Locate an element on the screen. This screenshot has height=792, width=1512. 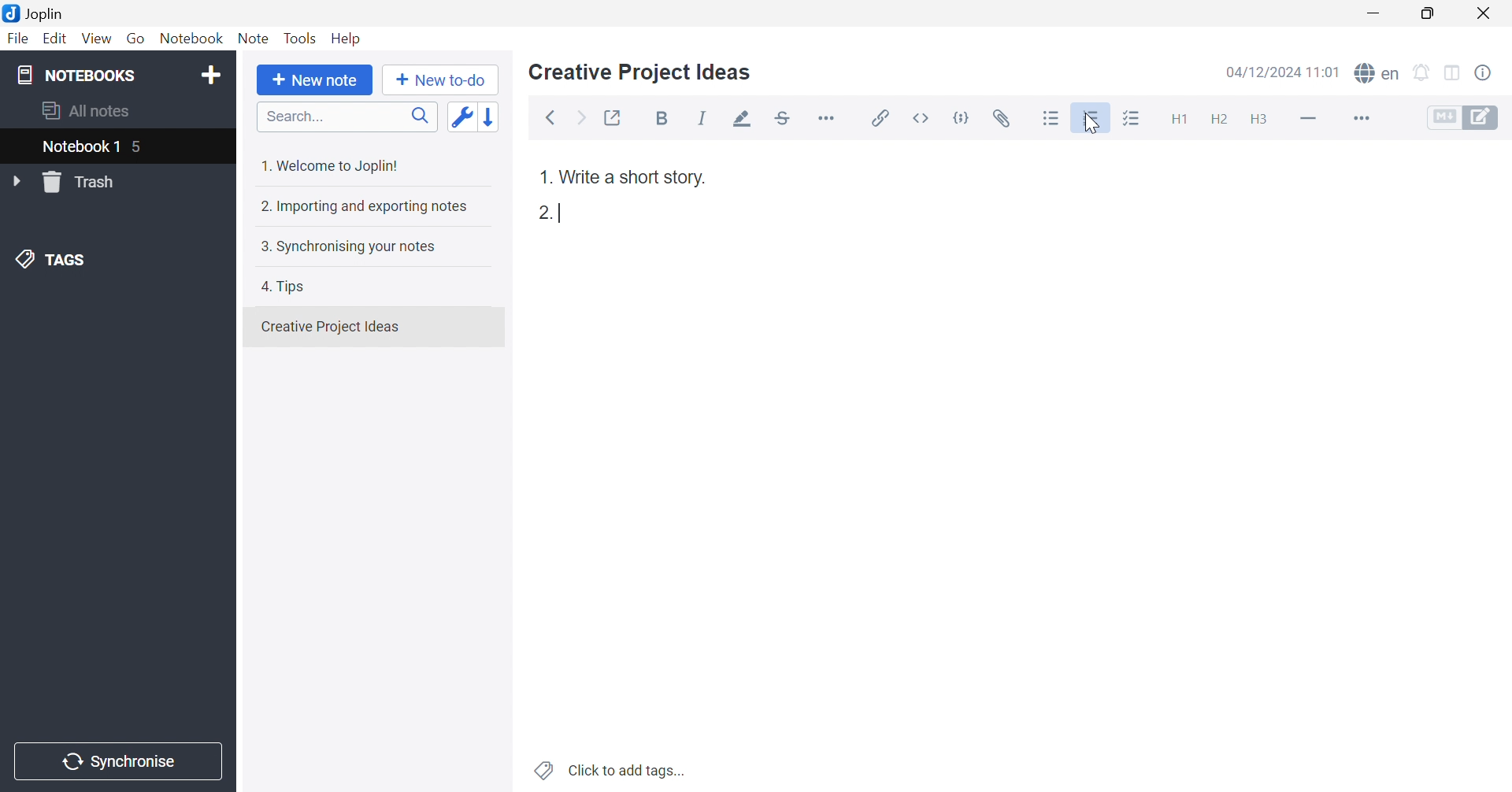
Minimize is located at coordinates (1379, 13).